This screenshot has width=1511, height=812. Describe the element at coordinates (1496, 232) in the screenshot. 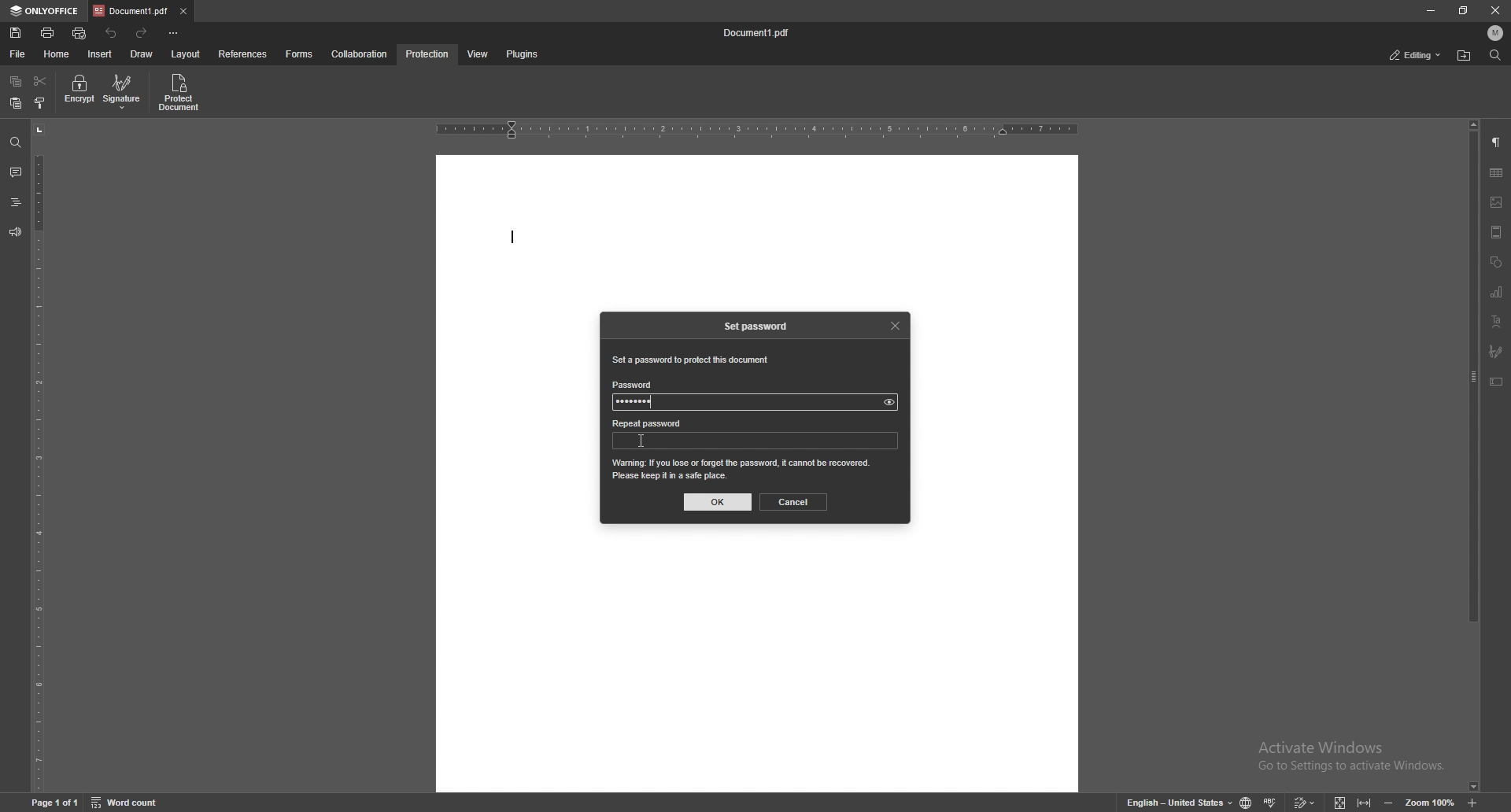

I see `header and footer` at that location.